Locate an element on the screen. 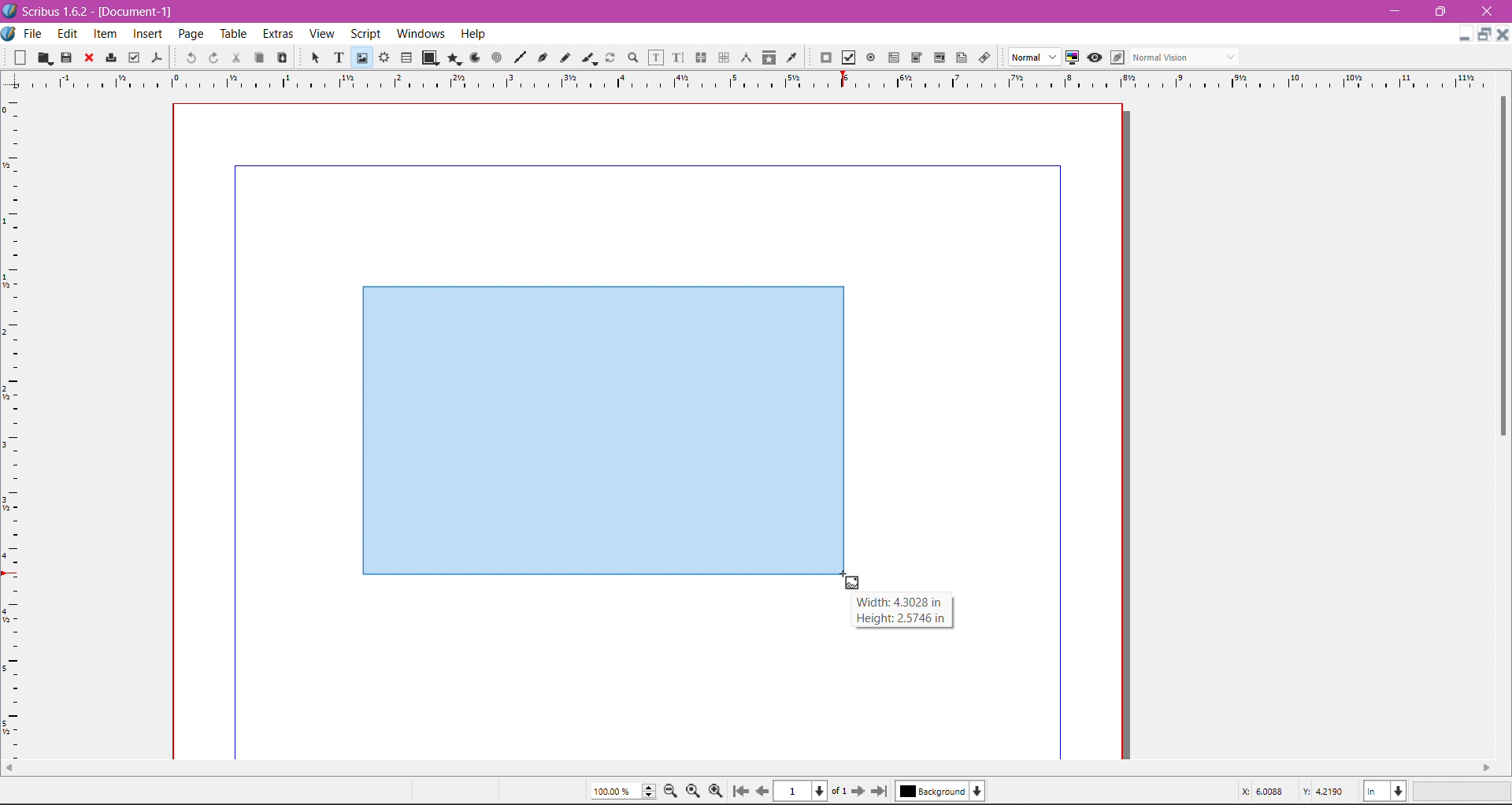 The width and height of the screenshot is (1512, 805). Application Logo is located at coordinates (9, 11).